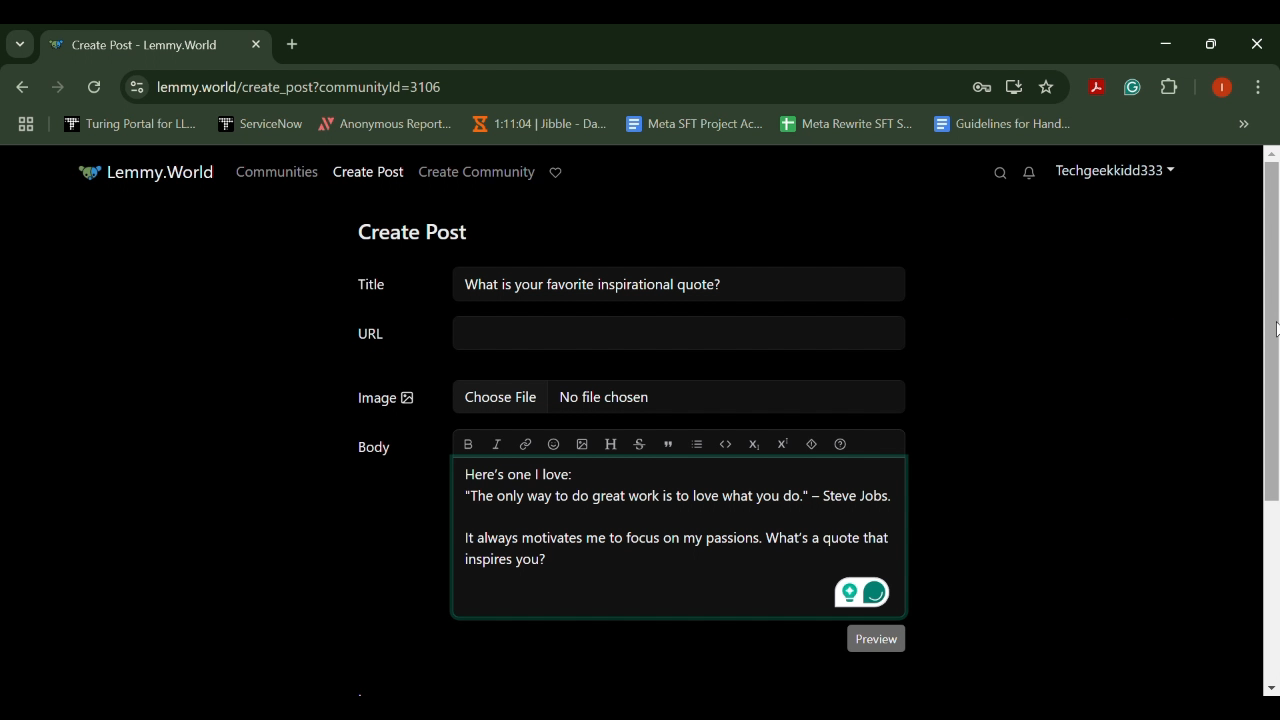 The width and height of the screenshot is (1280, 720). What do you see at coordinates (755, 443) in the screenshot?
I see `Subscript` at bounding box center [755, 443].